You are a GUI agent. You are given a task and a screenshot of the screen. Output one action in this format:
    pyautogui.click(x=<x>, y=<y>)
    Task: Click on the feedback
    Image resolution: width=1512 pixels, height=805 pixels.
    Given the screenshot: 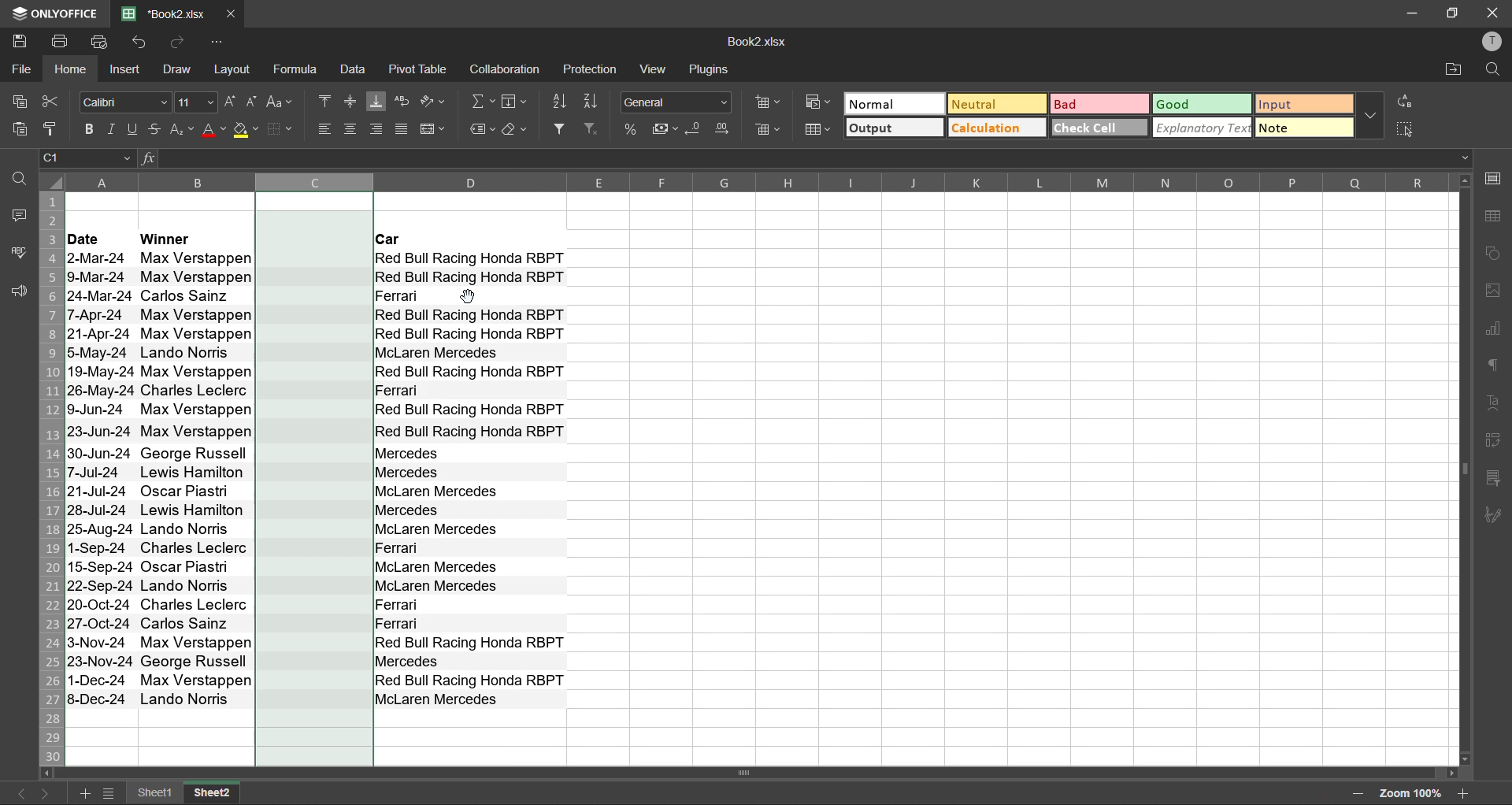 What is the action you would take?
    pyautogui.click(x=17, y=292)
    